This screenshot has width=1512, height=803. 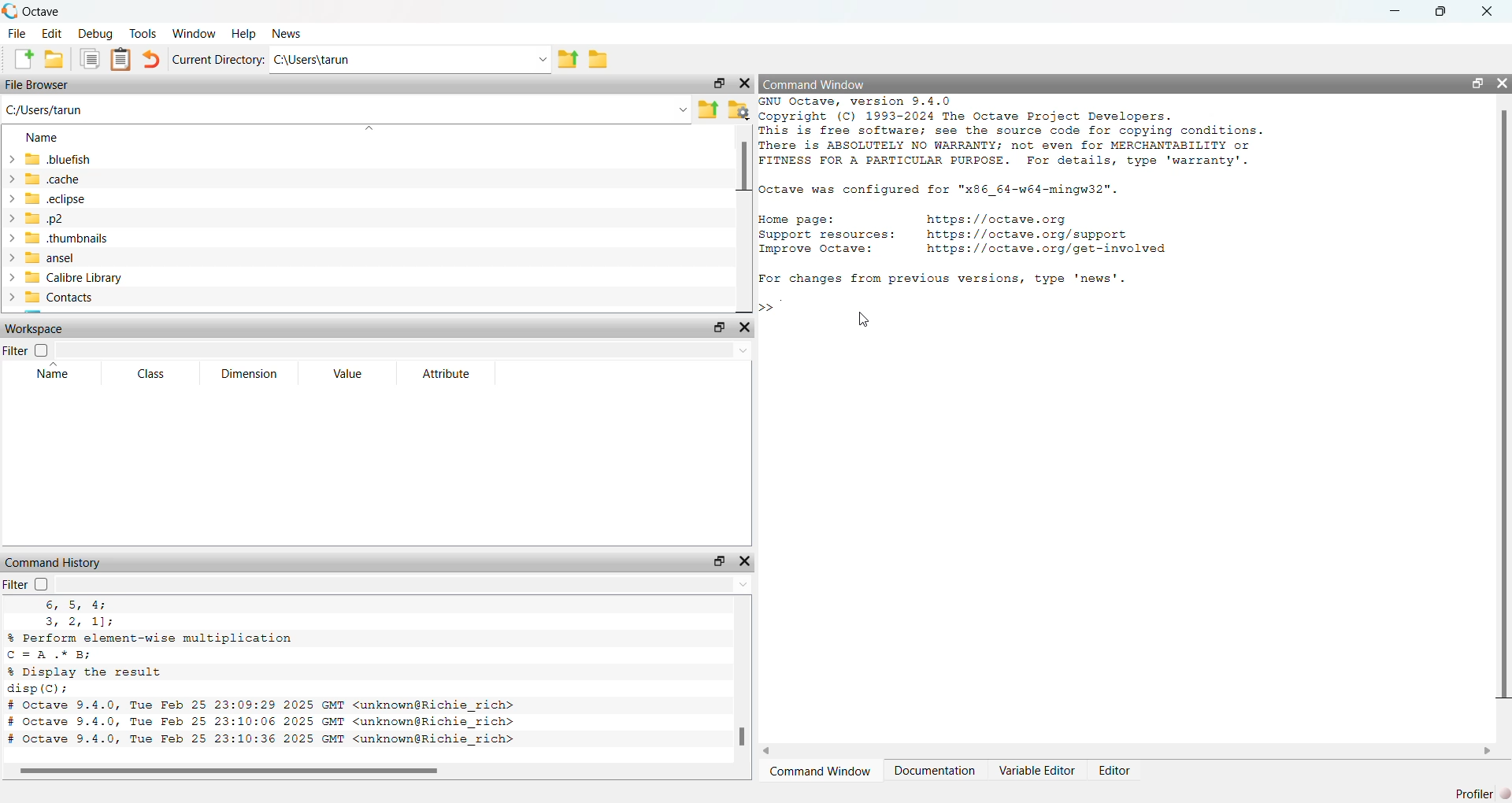 I want to click on Typing indicator, so click(x=778, y=309).